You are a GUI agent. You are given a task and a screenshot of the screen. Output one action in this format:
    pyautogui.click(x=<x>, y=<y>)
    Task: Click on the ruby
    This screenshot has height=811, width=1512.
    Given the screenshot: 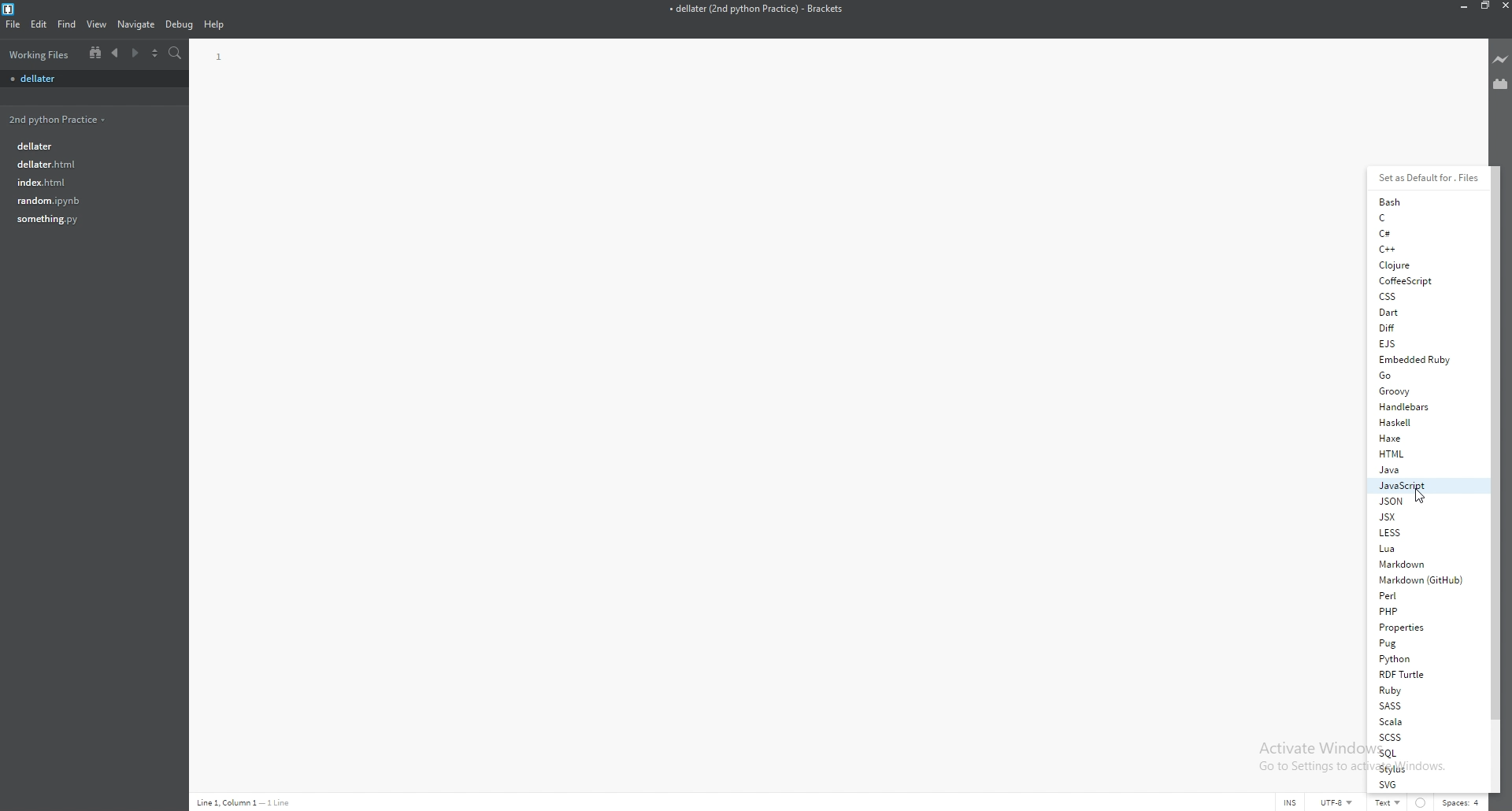 What is the action you would take?
    pyautogui.click(x=1421, y=691)
    